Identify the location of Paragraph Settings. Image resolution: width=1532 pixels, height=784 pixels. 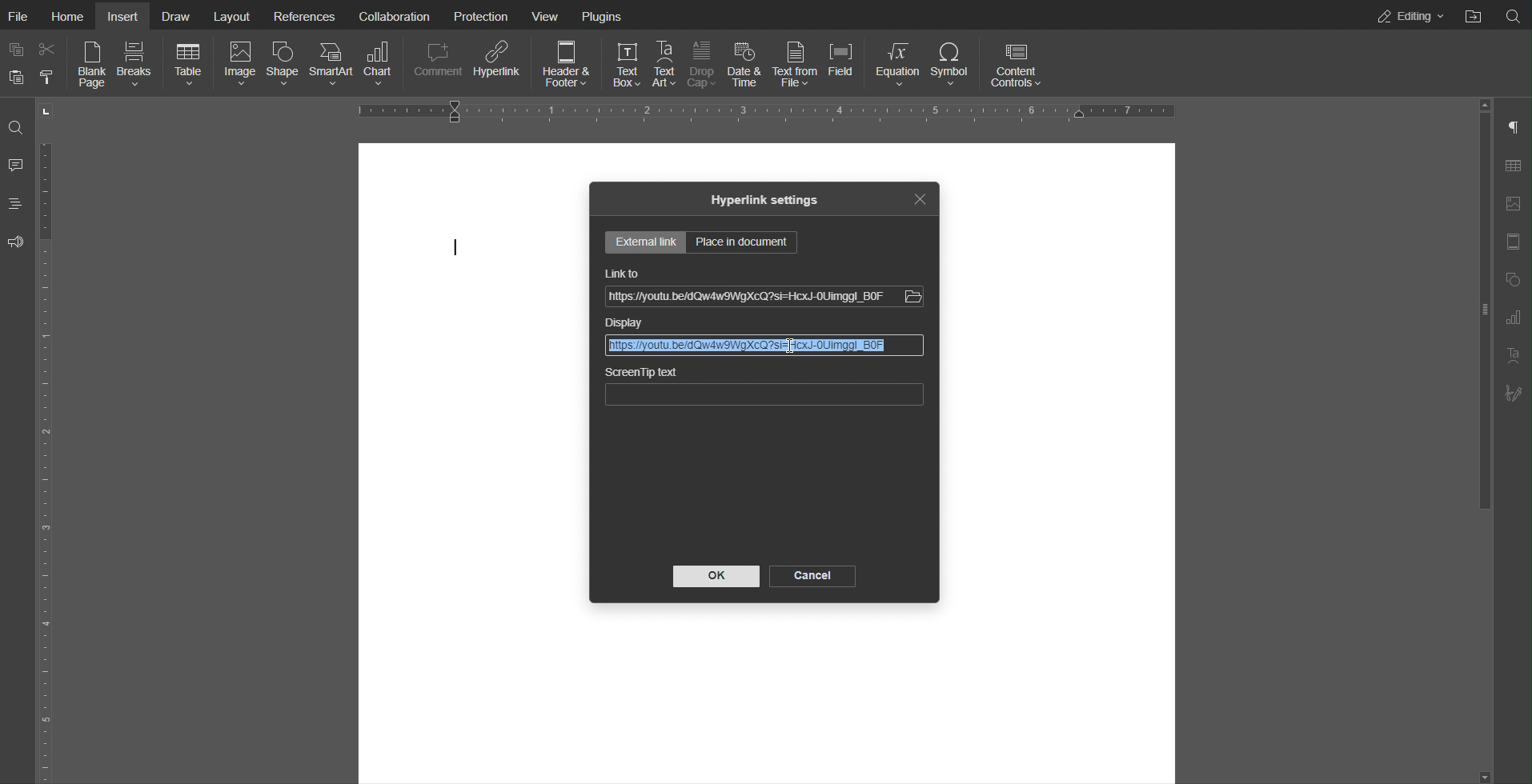
(1511, 318).